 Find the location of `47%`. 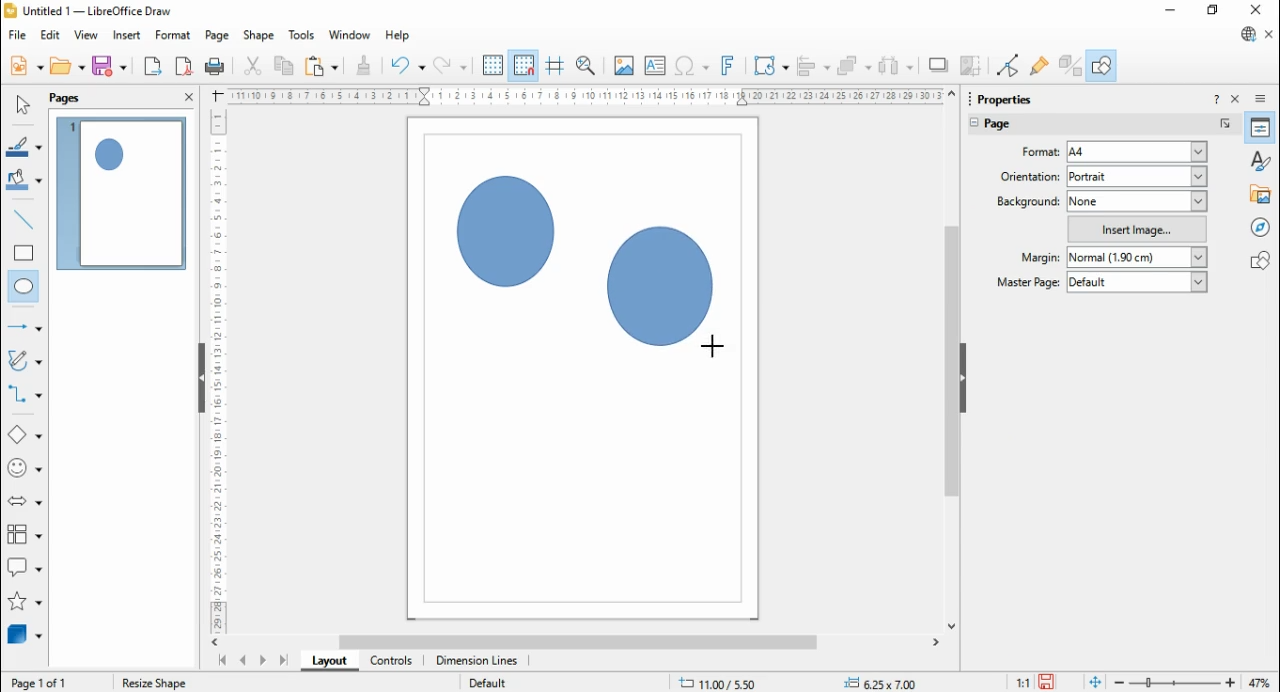

47% is located at coordinates (1262, 682).